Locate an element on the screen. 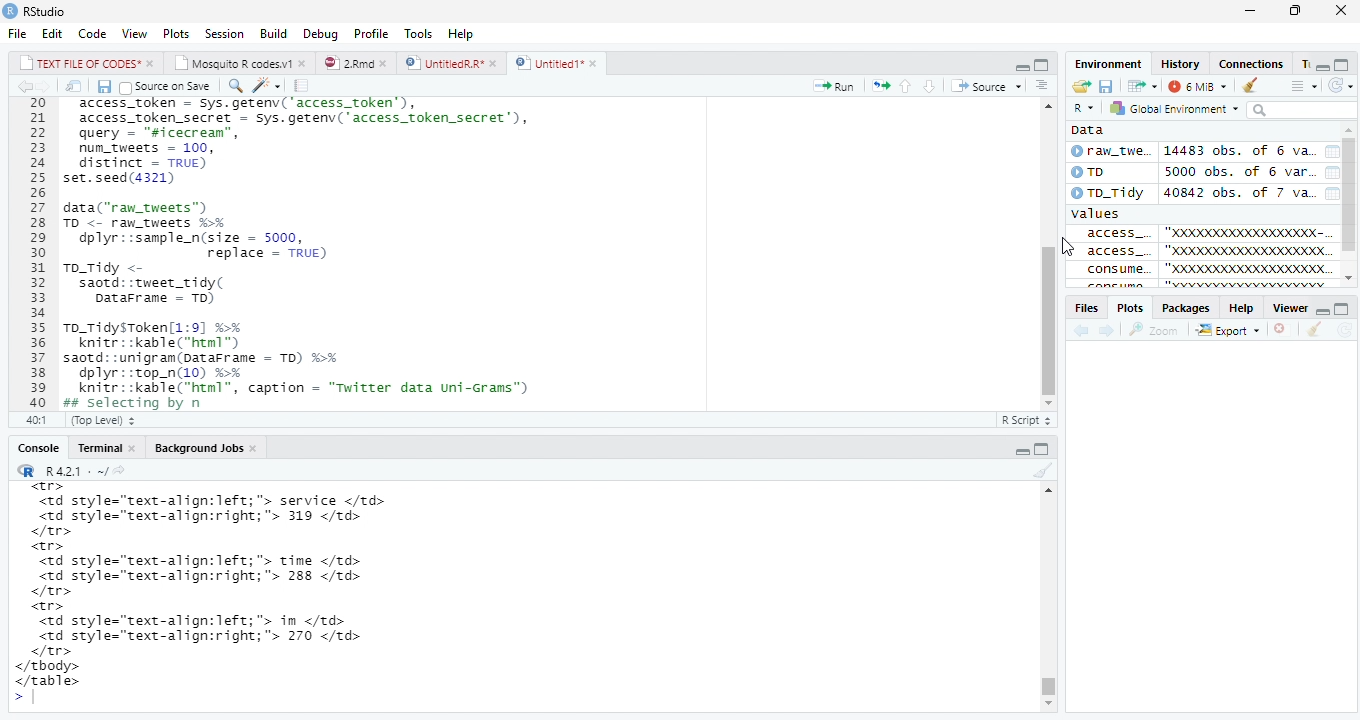 The height and width of the screenshot is (720, 1360). find replace is located at coordinates (237, 85).